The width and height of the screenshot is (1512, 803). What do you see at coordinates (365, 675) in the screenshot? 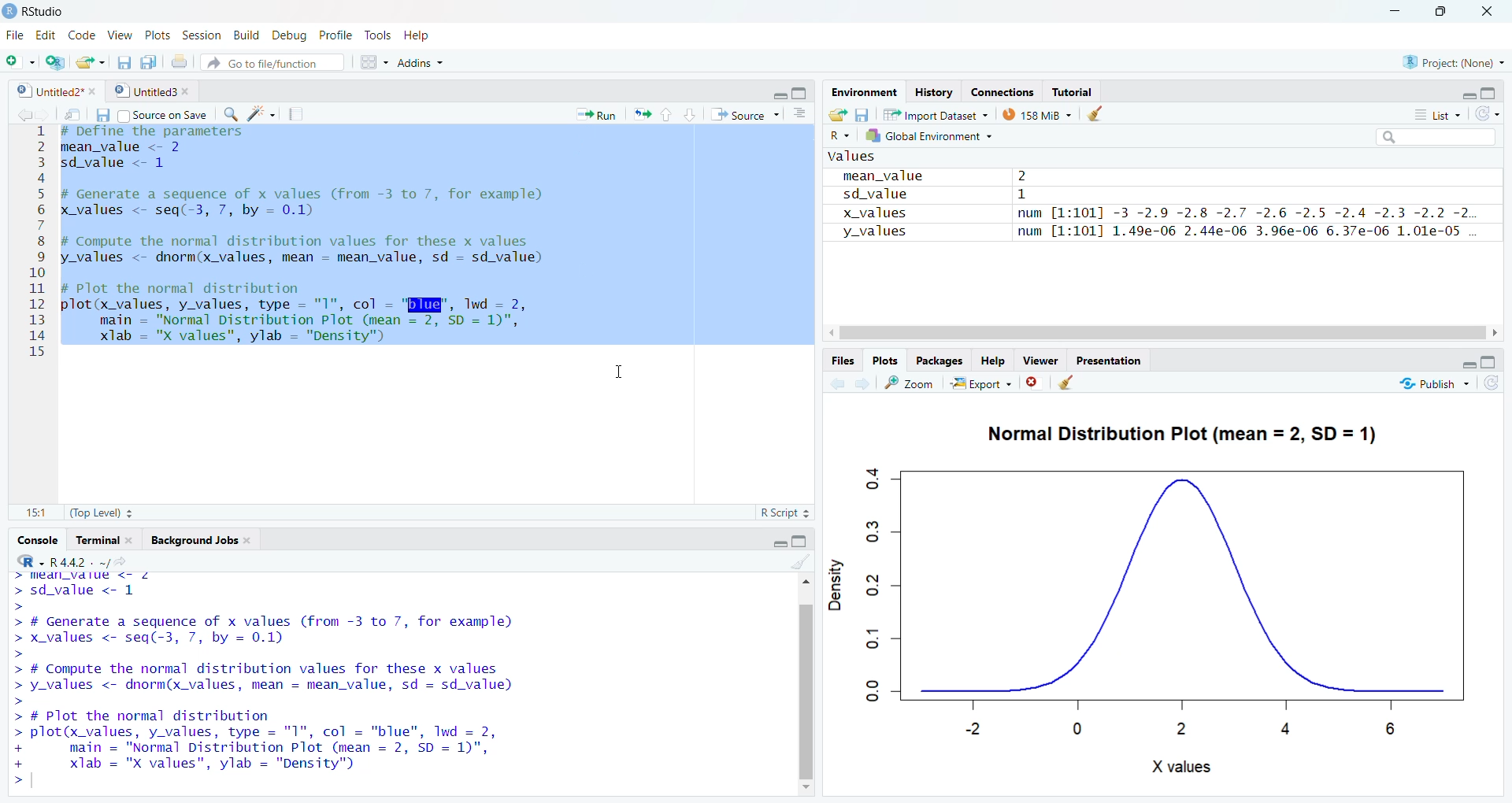
I see `> sd_value <- 1

>

> # Generate a sequence of x values (from -3 to 7, for example)
> x_values <- seq(-3, 7, by = 0.1)

>

> # Compute the normal distribution values for these x values
> y_values <- dnorm(x_values, mean = mean_value, sd = sd_value)
>

> # Plot the normal distribution

> plot(x_values, y_values, type = "1", col = "blue", Twd = 2,
+ main = "Normal Distribution Plot (mean = 2, SD = 1)",

+ xlab = "X values", ylab = "Density™)

pe` at bounding box center [365, 675].